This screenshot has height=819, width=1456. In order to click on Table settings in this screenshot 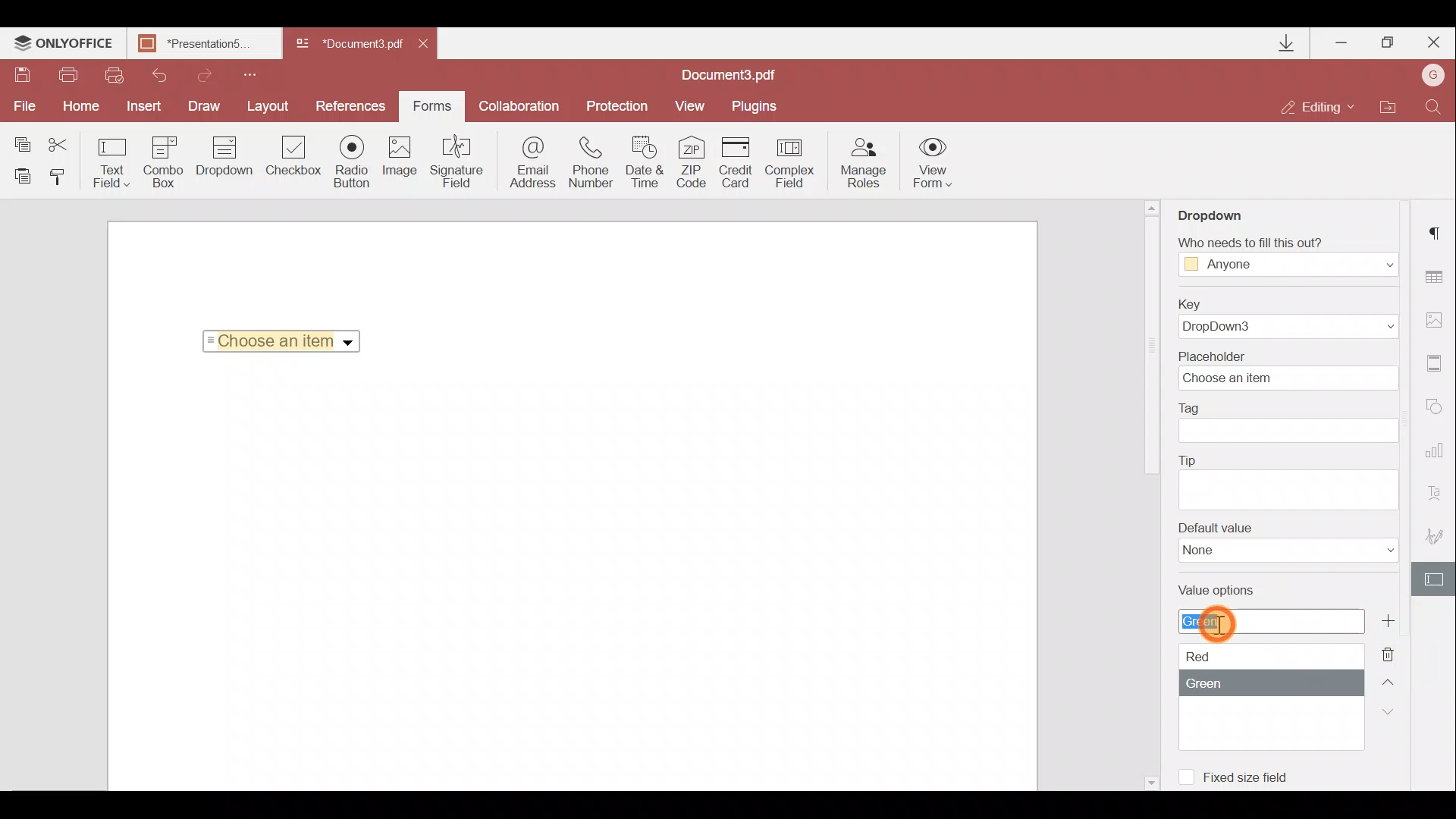, I will do `click(1441, 277)`.